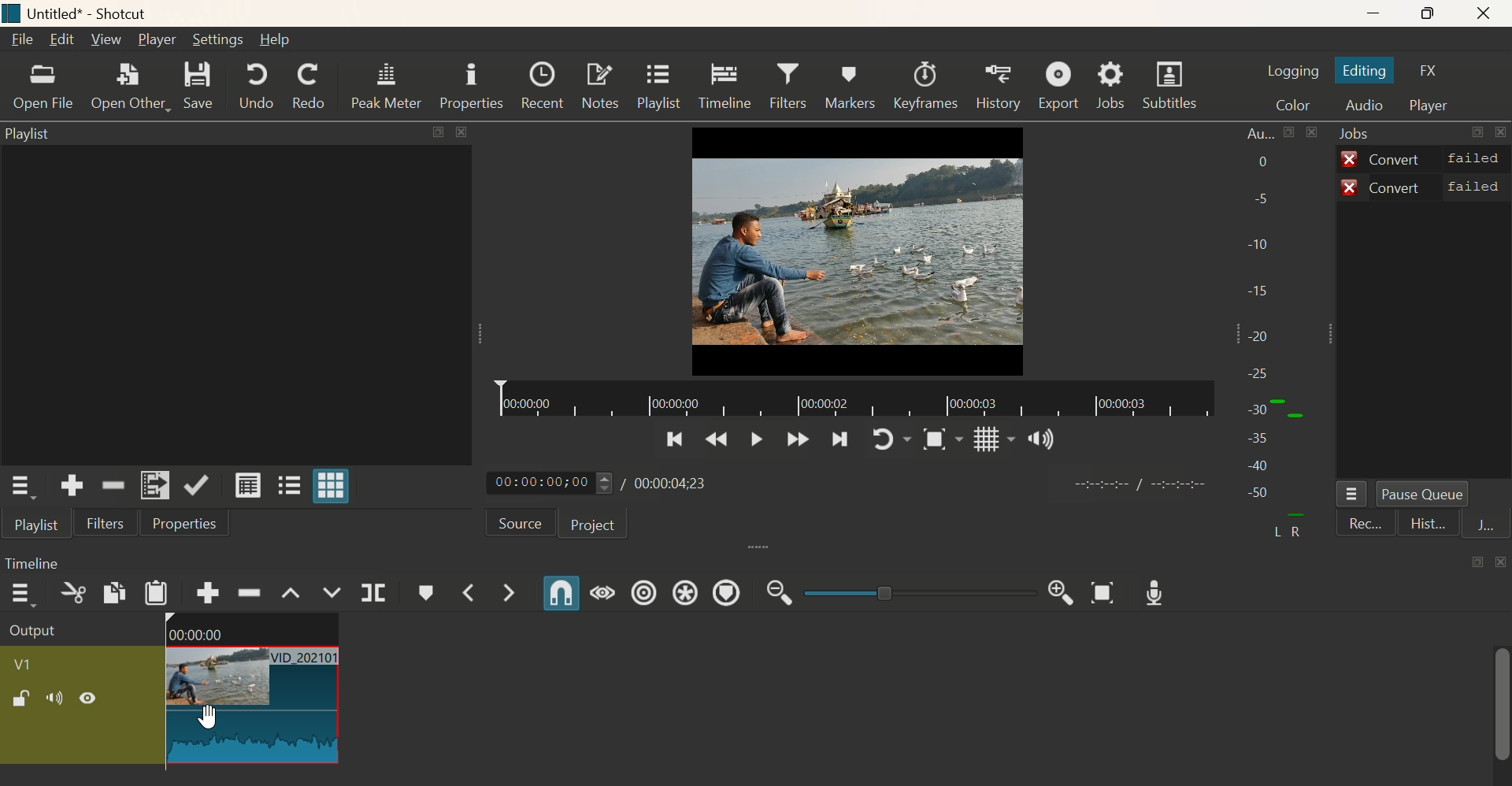  Describe the element at coordinates (309, 86) in the screenshot. I see `Redo` at that location.